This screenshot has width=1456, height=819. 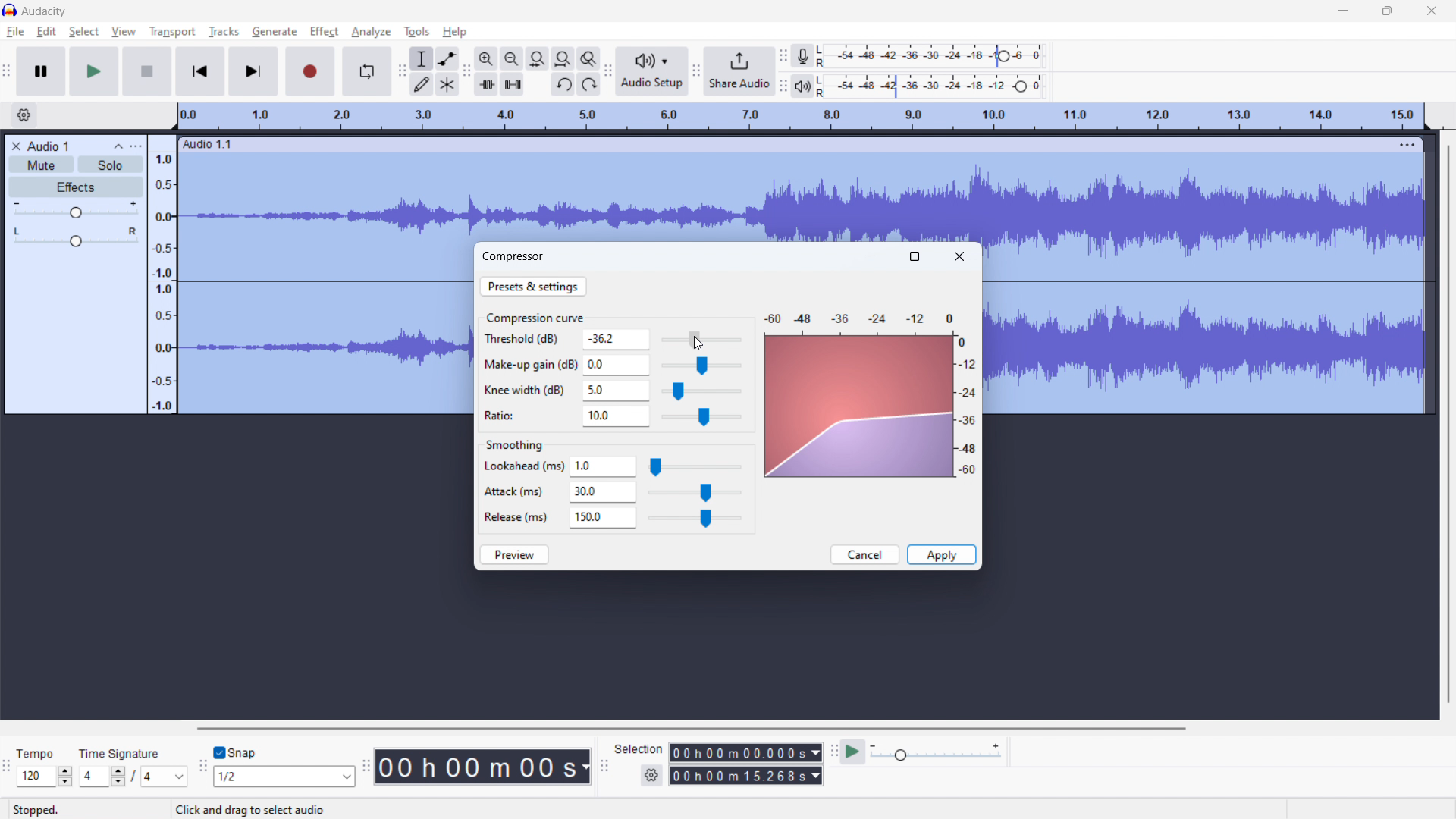 I want to click on zoom out, so click(x=512, y=58).